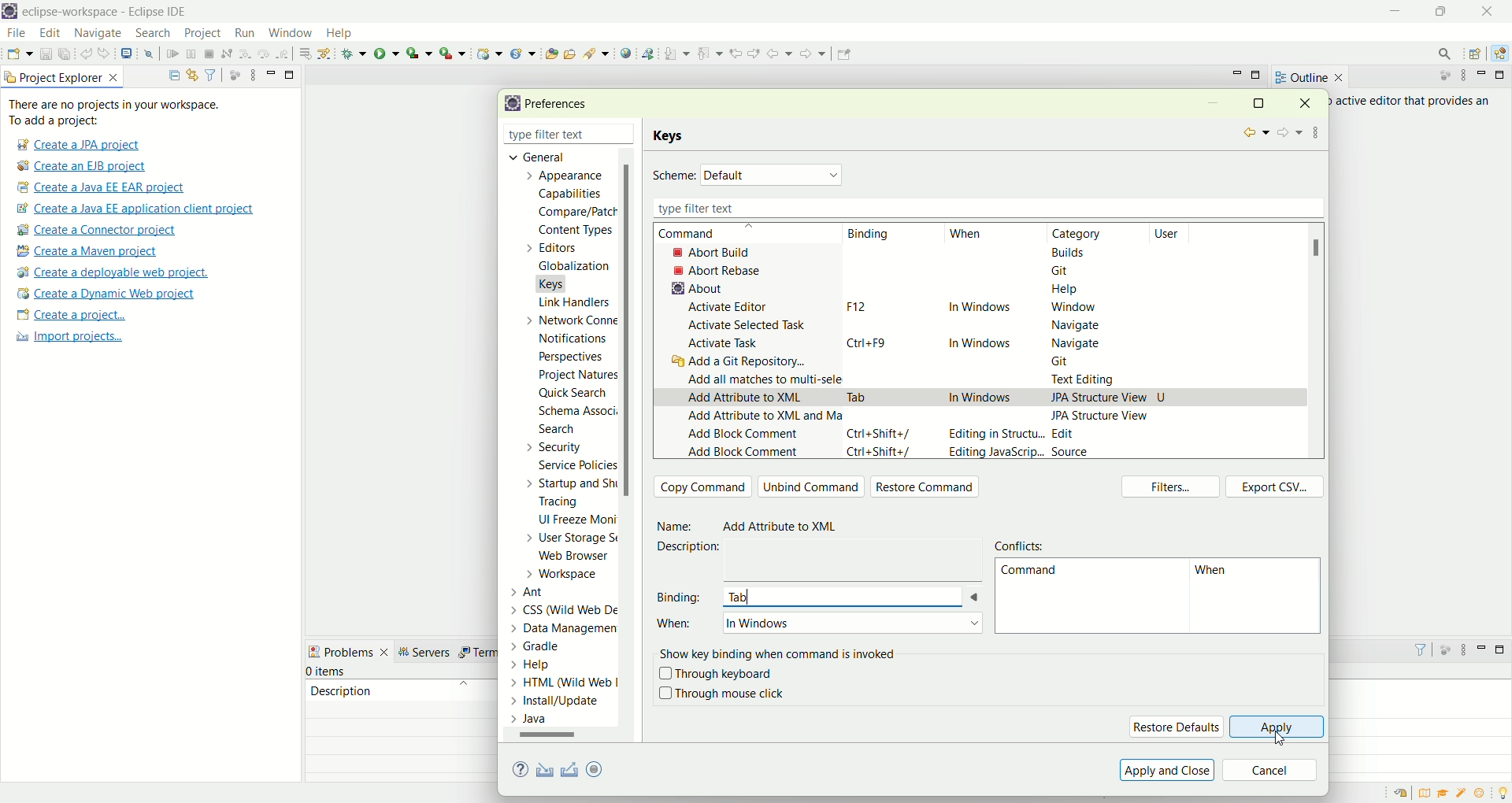 The width and height of the screenshot is (1512, 803). What do you see at coordinates (569, 177) in the screenshot?
I see `appearance` at bounding box center [569, 177].